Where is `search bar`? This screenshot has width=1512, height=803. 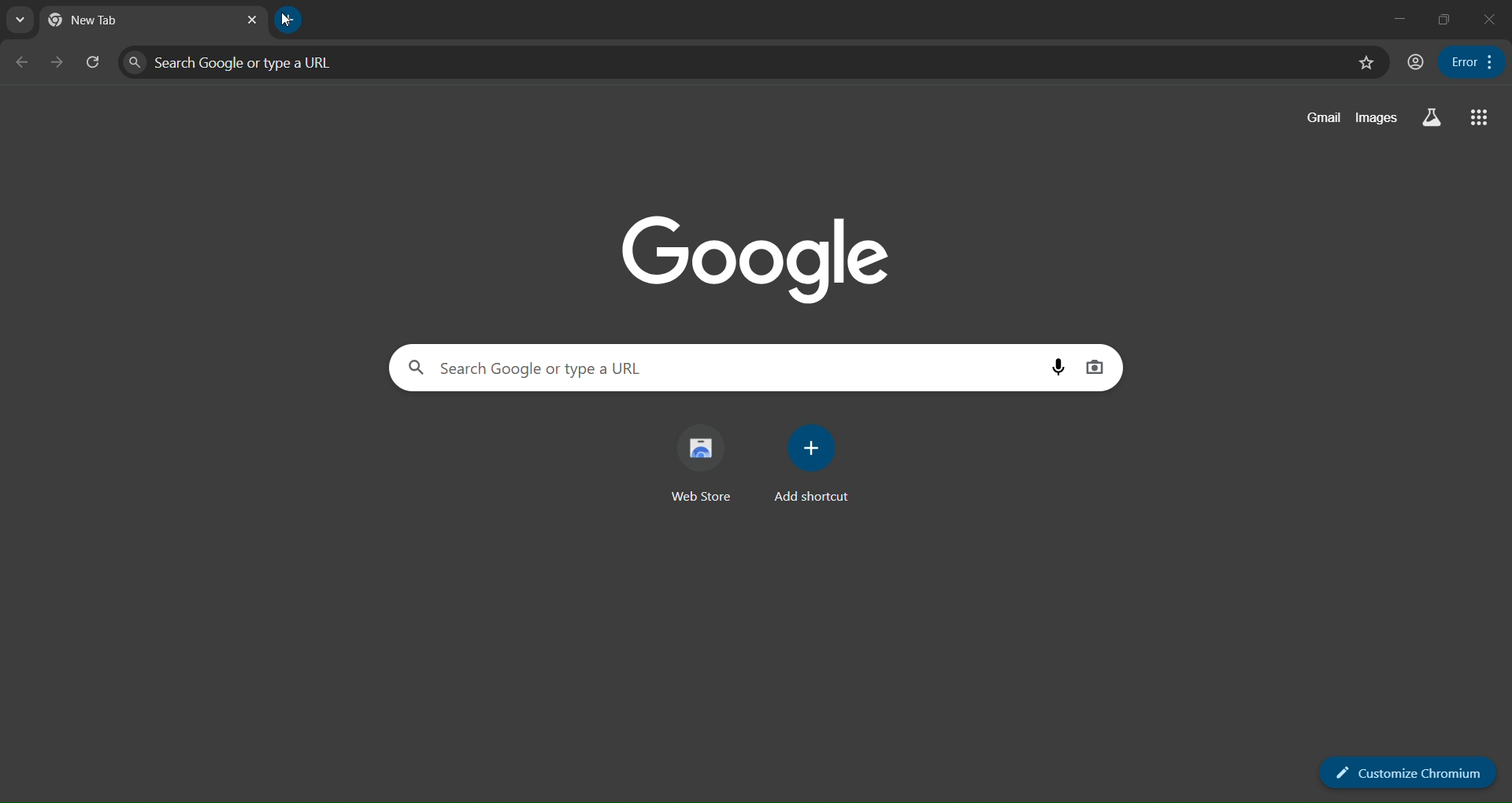 search bar is located at coordinates (742, 62).